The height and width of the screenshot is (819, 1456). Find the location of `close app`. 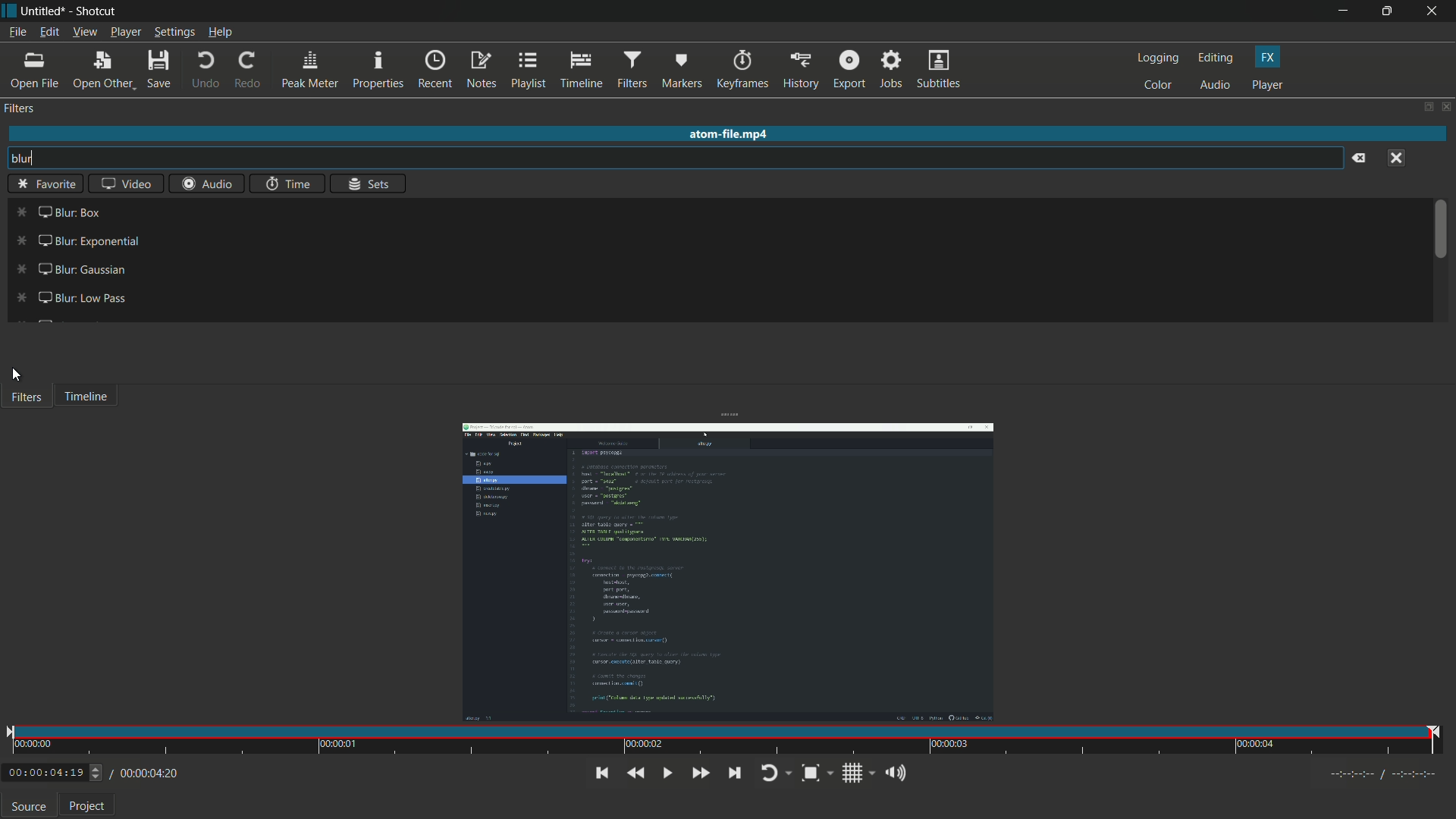

close app is located at coordinates (1435, 11).